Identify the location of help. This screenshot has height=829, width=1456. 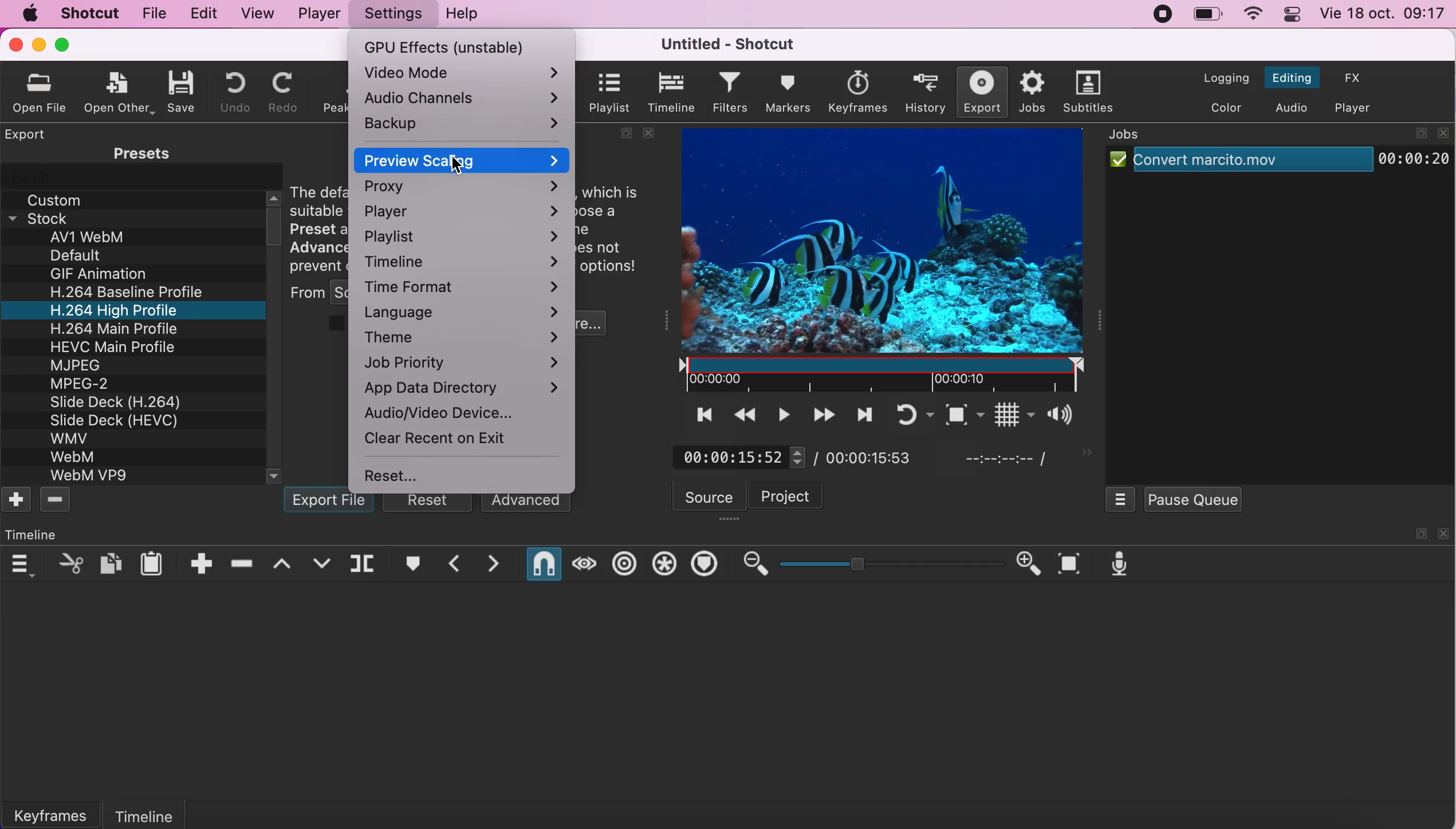
(464, 15).